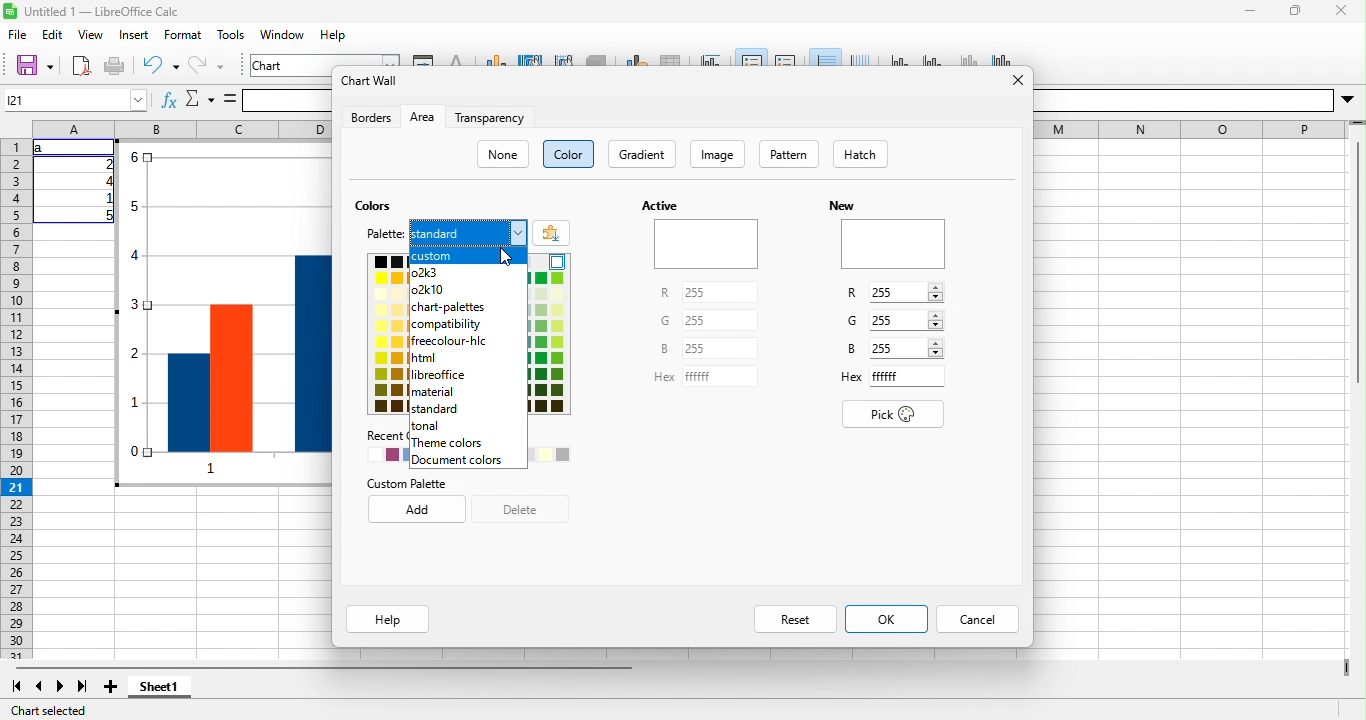  What do you see at coordinates (596, 59) in the screenshot?
I see `3d view` at bounding box center [596, 59].